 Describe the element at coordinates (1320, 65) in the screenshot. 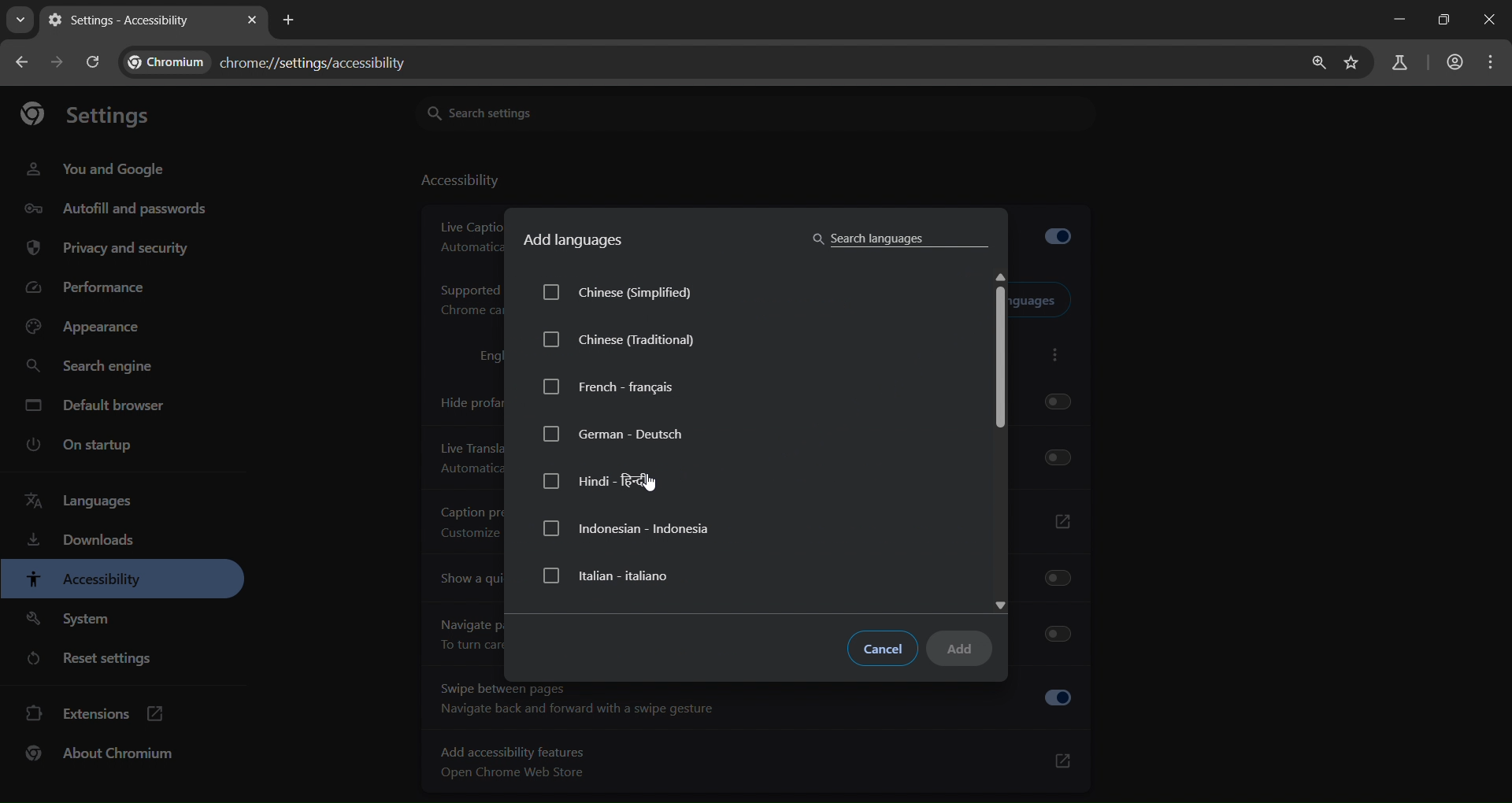

I see `zoom` at that location.